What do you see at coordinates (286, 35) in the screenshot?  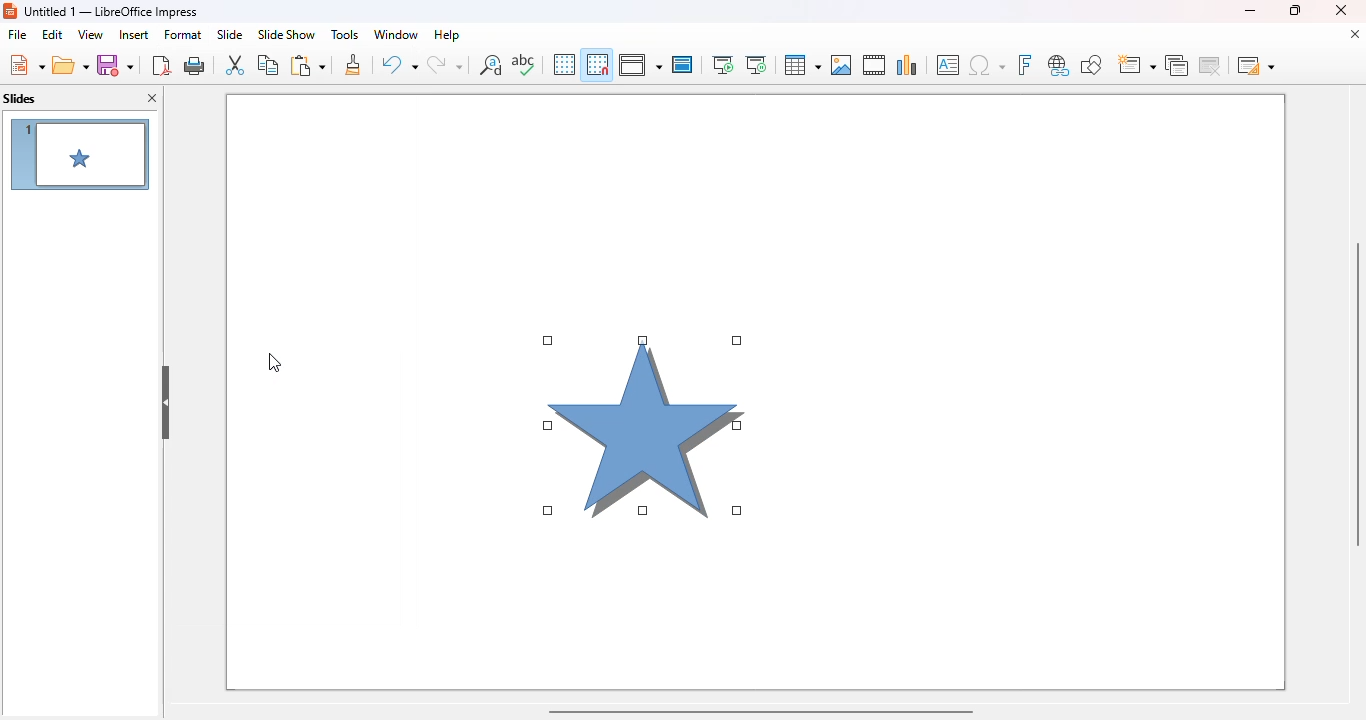 I see `slide show` at bounding box center [286, 35].